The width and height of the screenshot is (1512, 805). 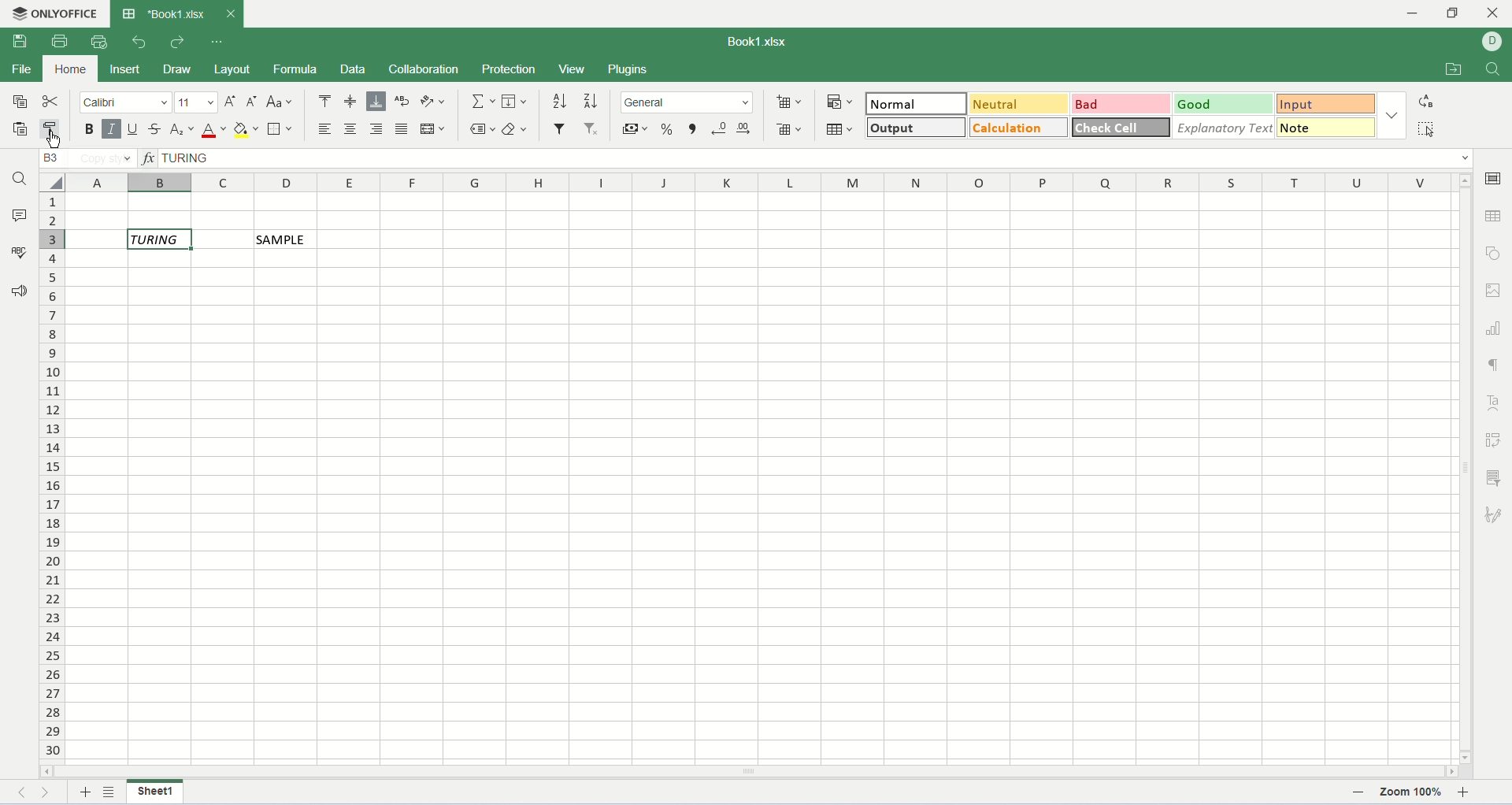 I want to click on cursor, so click(x=52, y=144).